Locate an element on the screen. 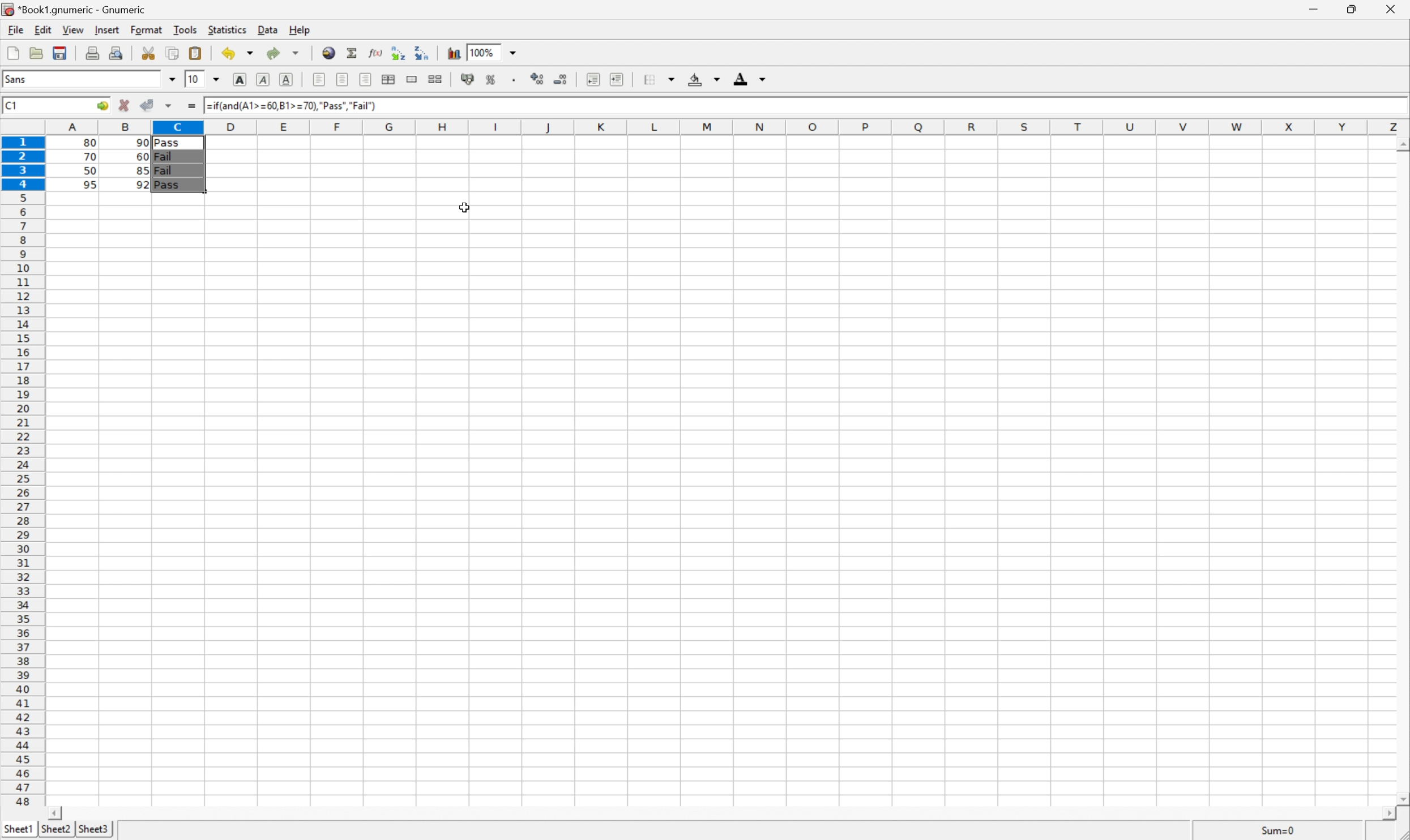 This screenshot has height=840, width=1410. Save the current file is located at coordinates (59, 52).